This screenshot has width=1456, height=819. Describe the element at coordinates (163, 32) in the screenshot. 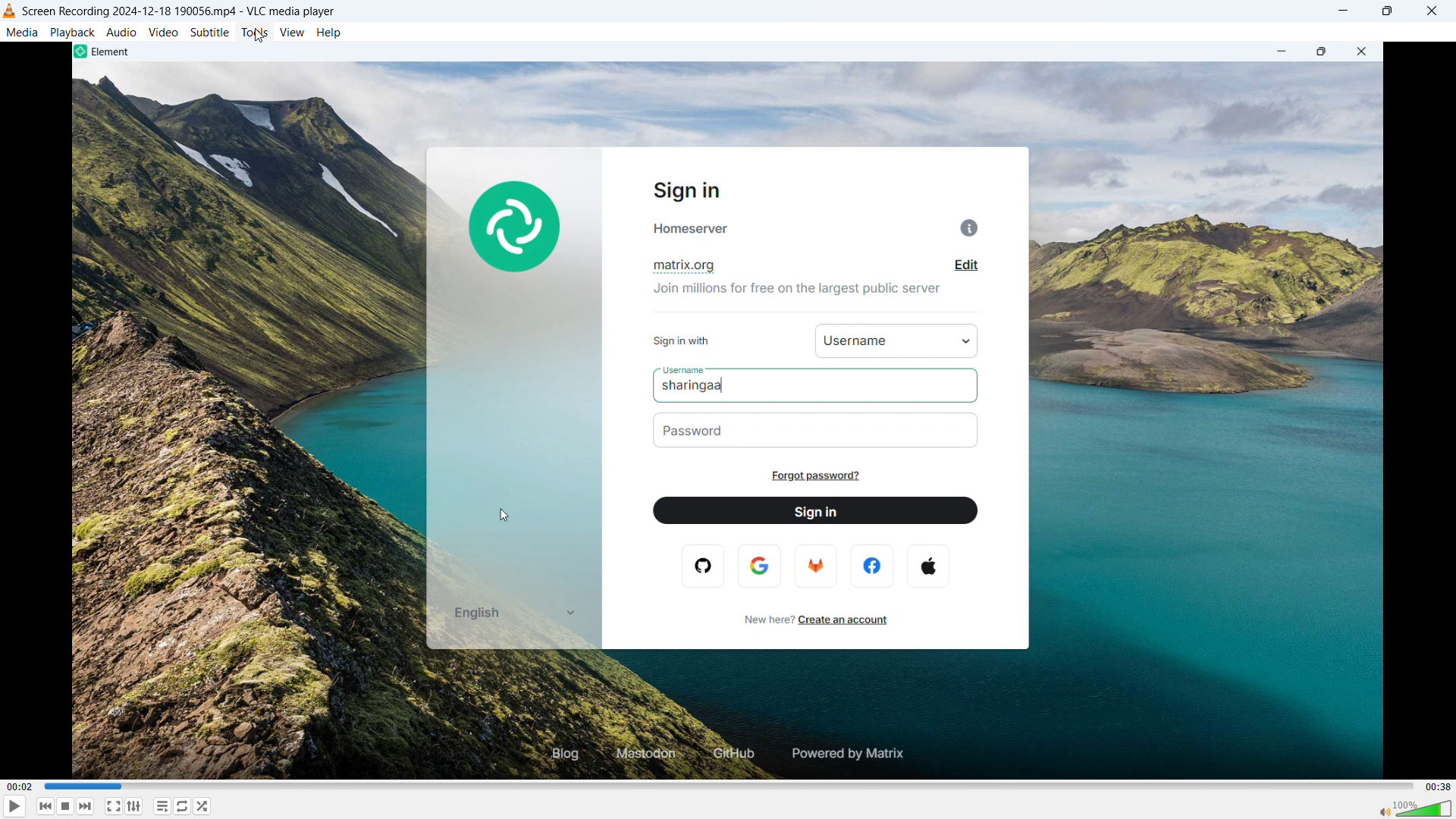

I see `video` at that location.